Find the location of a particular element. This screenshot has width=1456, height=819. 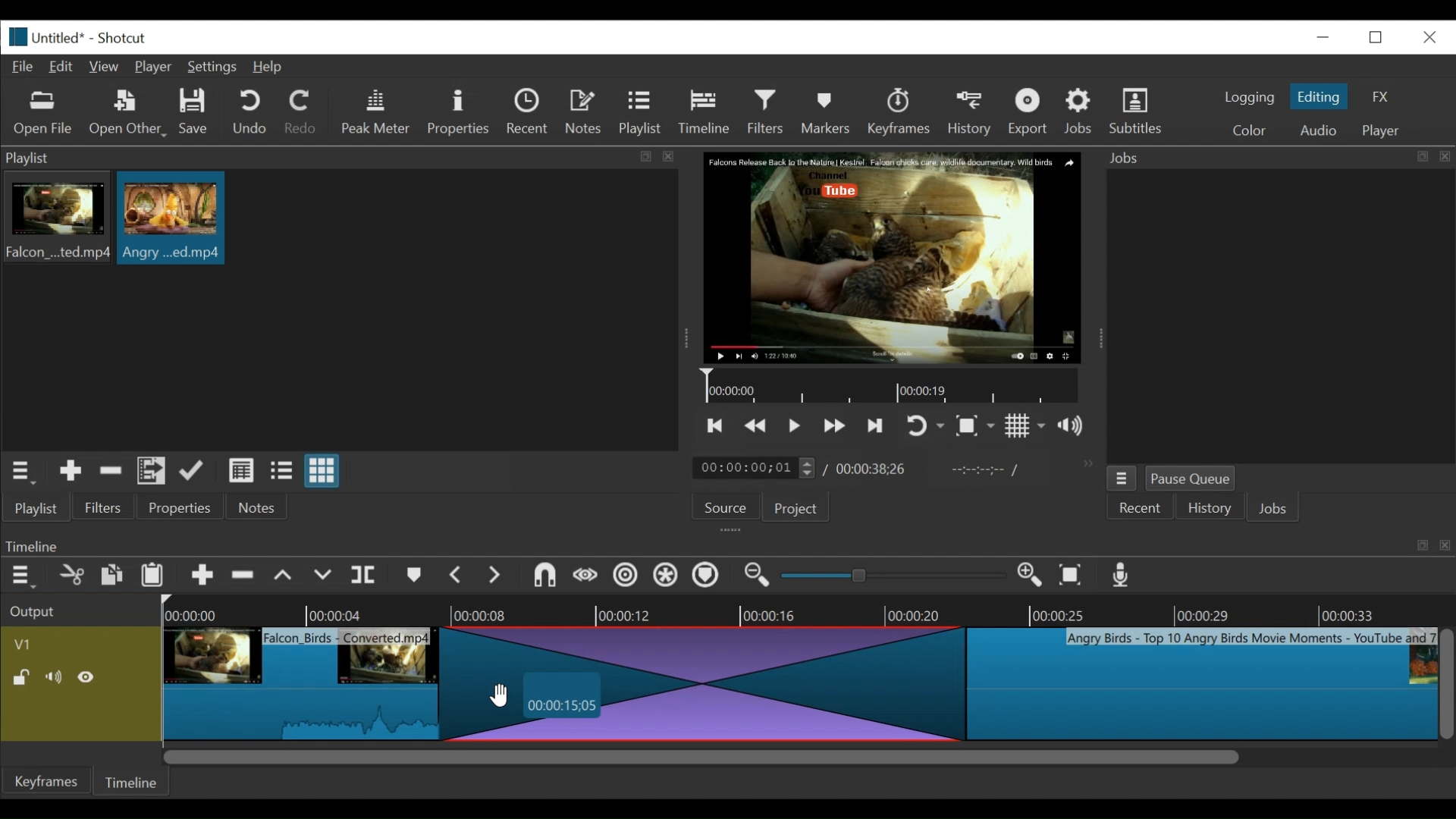

snap is located at coordinates (547, 577).